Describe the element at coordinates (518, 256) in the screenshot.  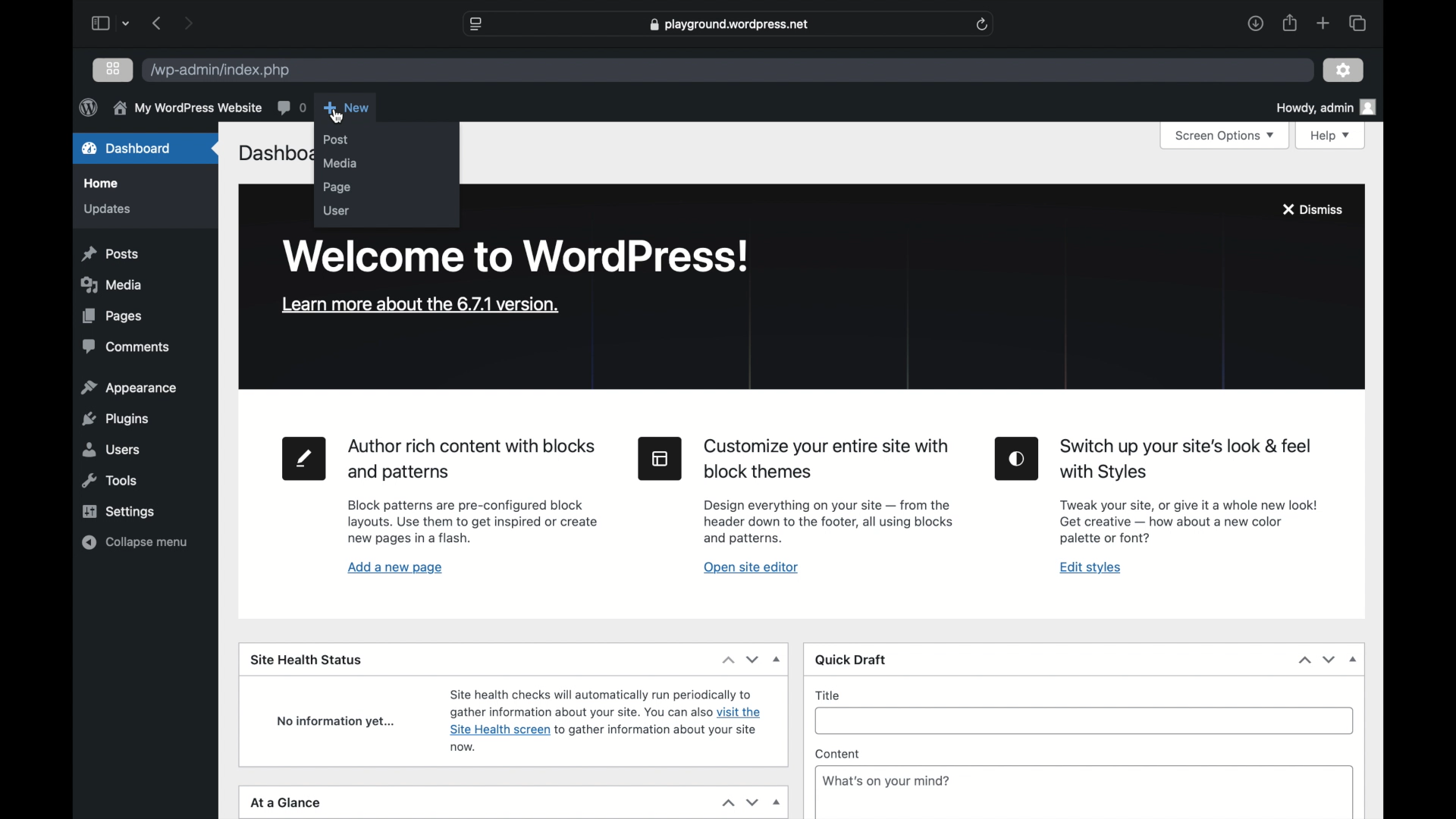
I see `welcome to wordpress` at that location.